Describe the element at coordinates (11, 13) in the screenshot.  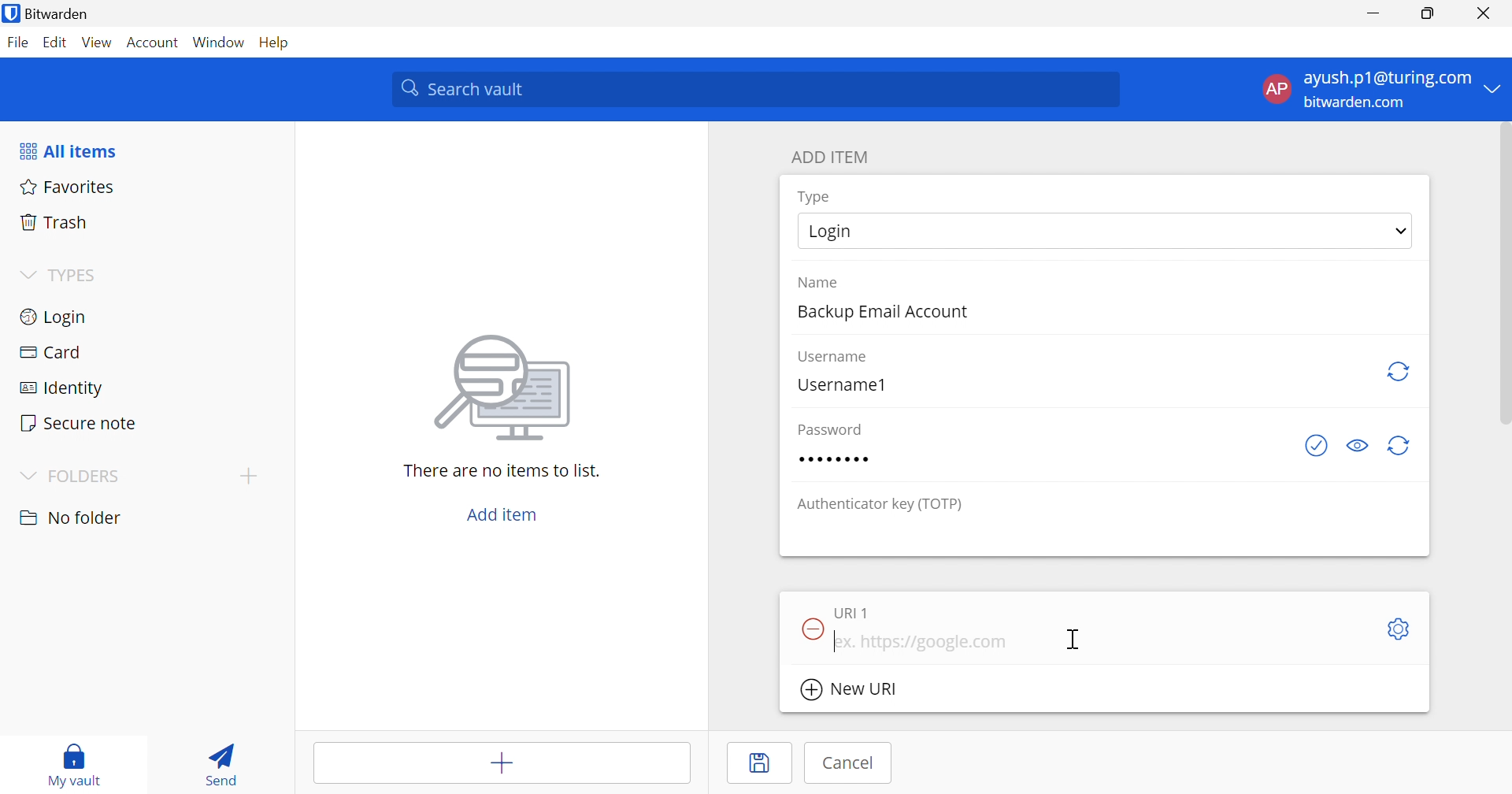
I see `bitwarden logo` at that location.